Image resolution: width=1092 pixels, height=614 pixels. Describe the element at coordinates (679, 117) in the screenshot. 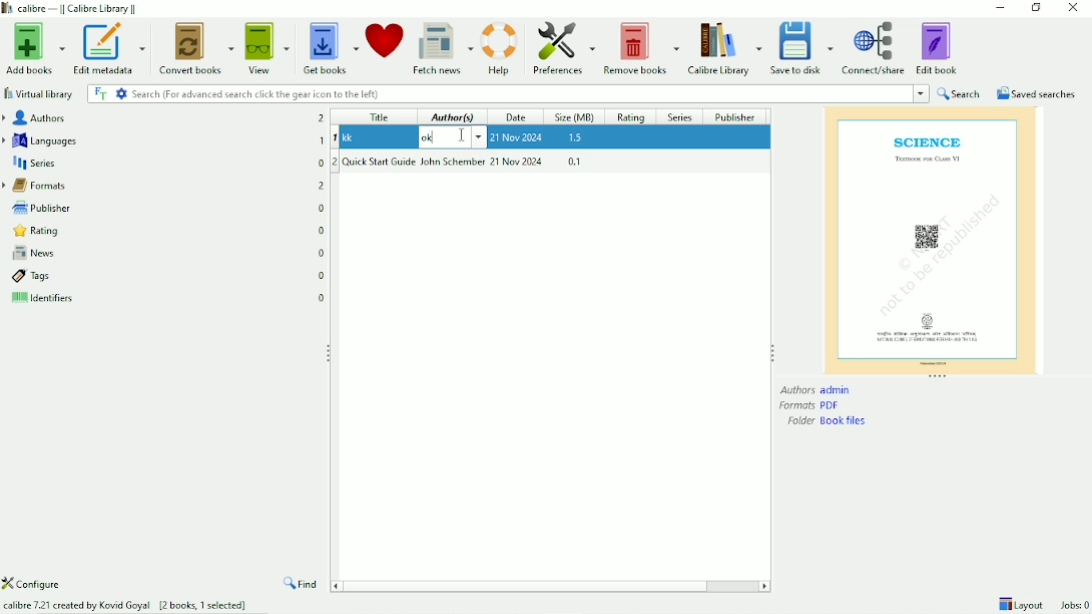

I see `Series` at that location.